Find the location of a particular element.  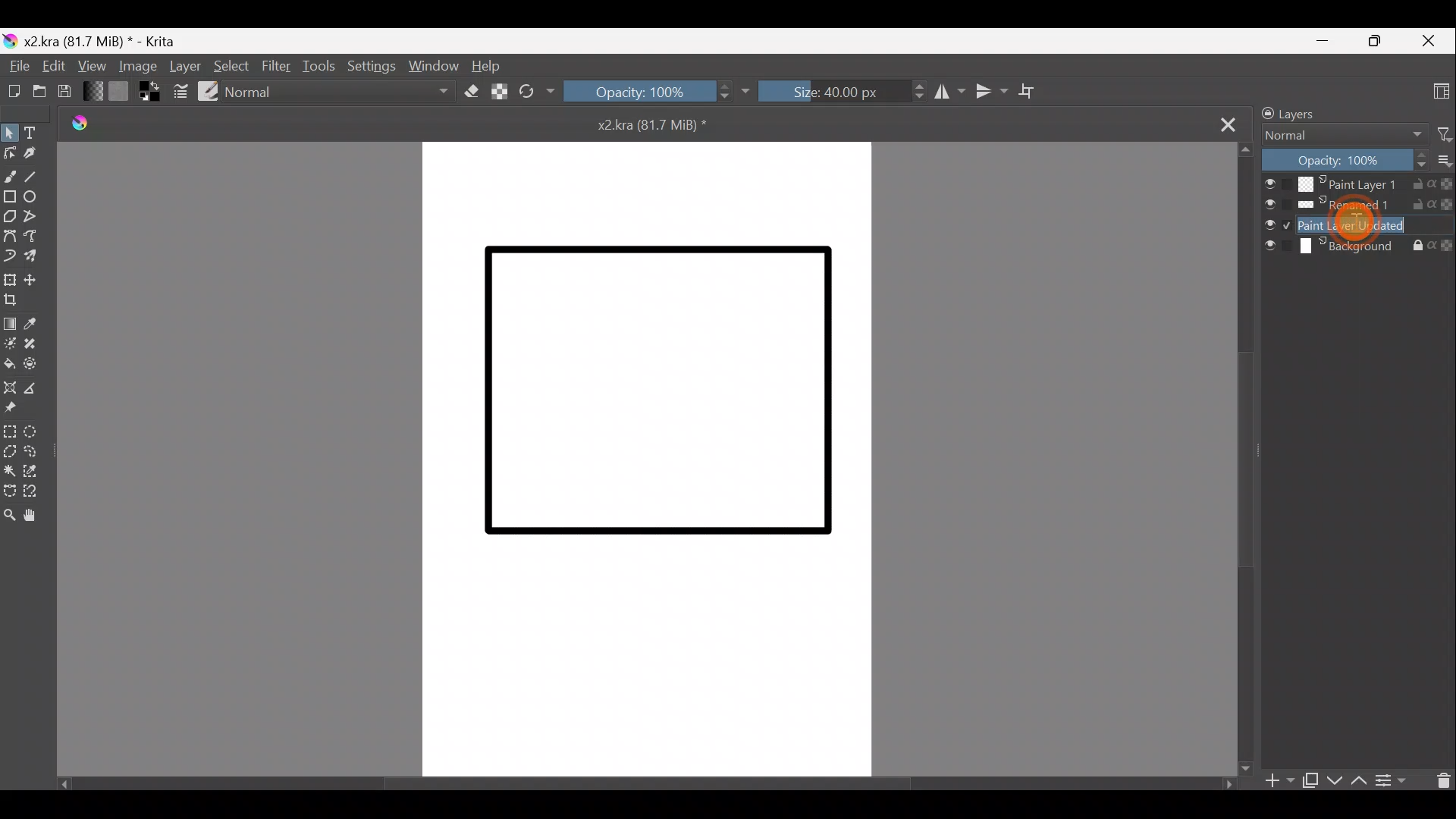

Lock/unlock docker is located at coordinates (1265, 111).